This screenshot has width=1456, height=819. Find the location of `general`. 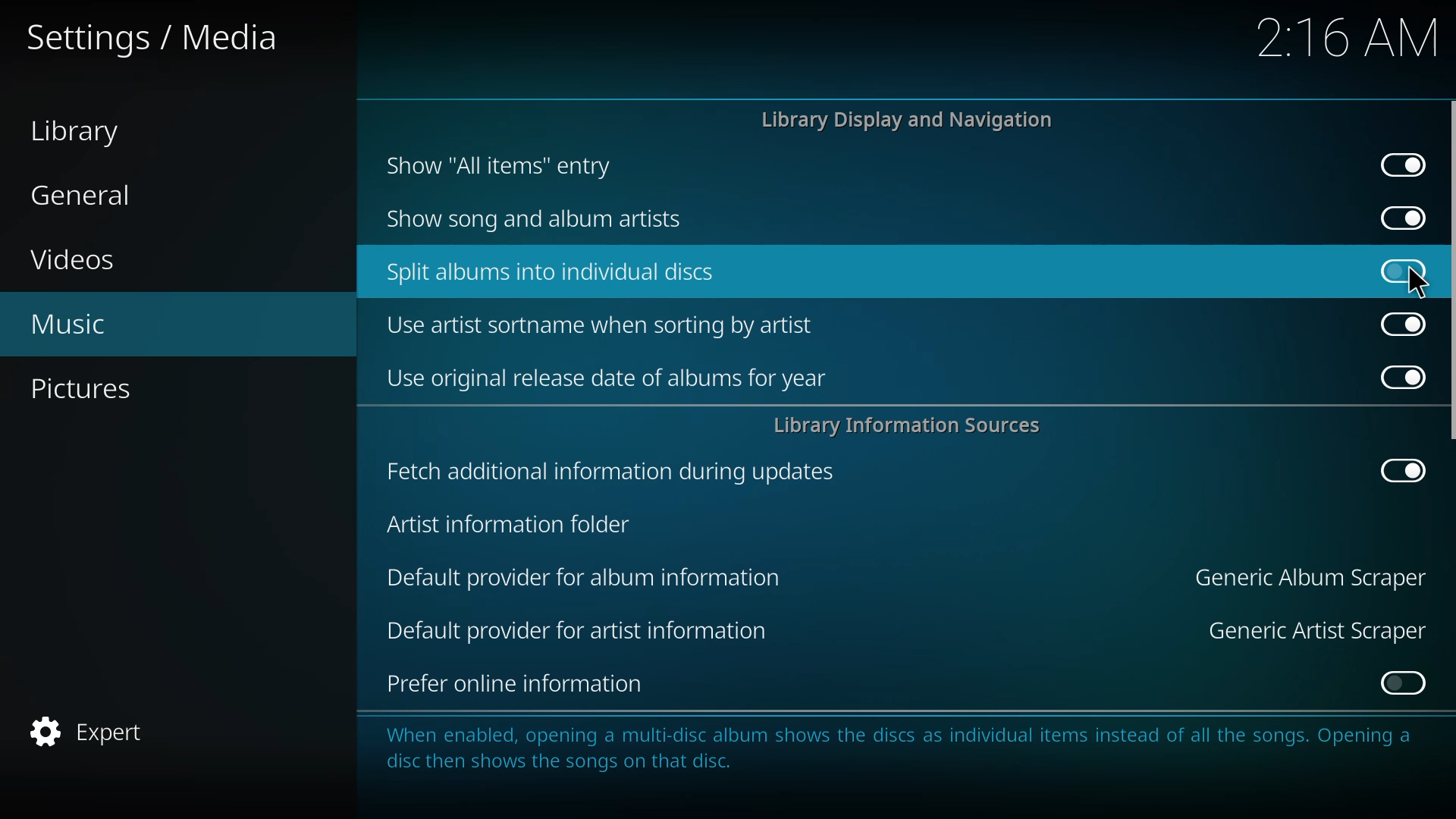

general is located at coordinates (89, 195).